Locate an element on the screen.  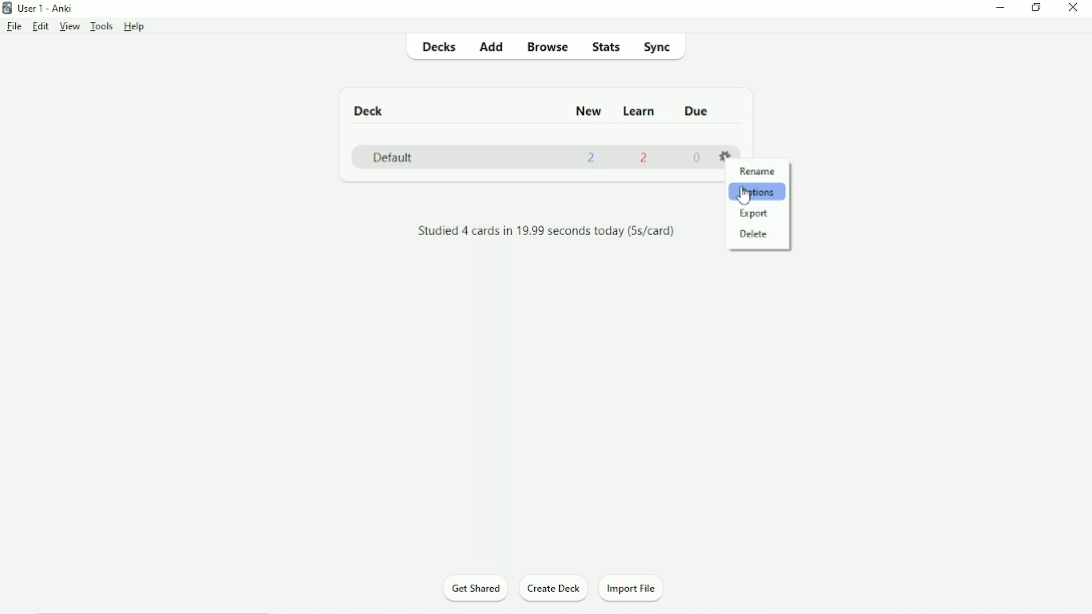
Get Shared is located at coordinates (476, 589).